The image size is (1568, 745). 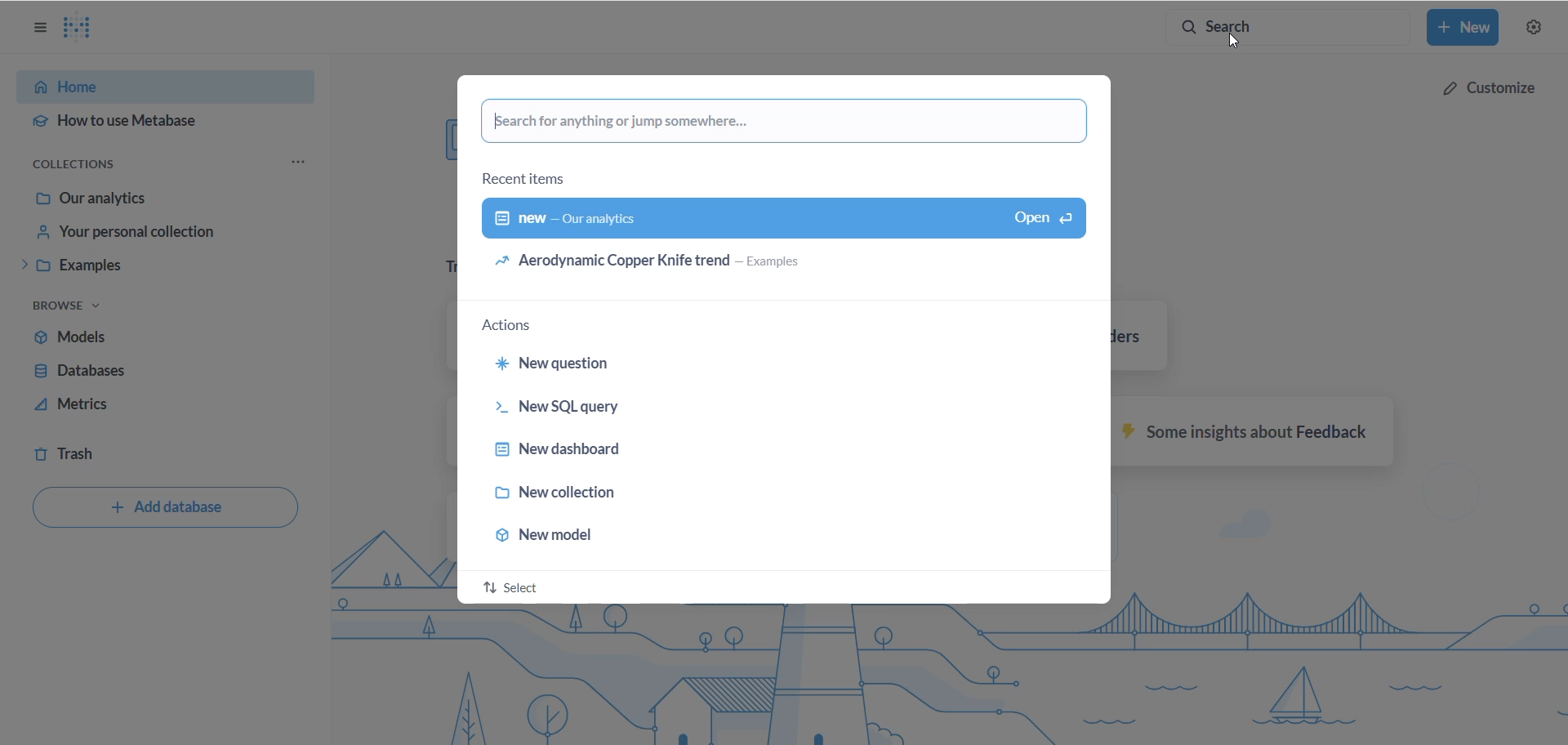 What do you see at coordinates (40, 28) in the screenshot?
I see `OPTIONS` at bounding box center [40, 28].